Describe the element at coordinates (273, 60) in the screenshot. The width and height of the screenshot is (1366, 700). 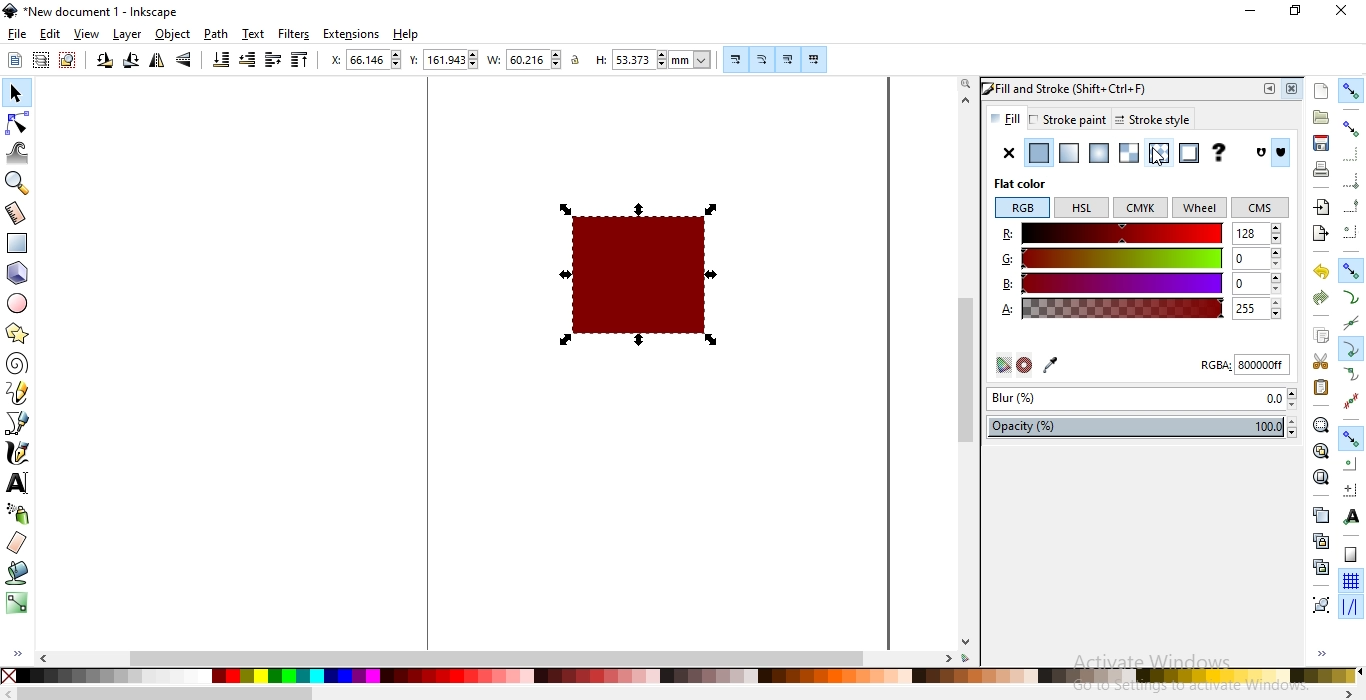
I see `raise selection one step` at that location.